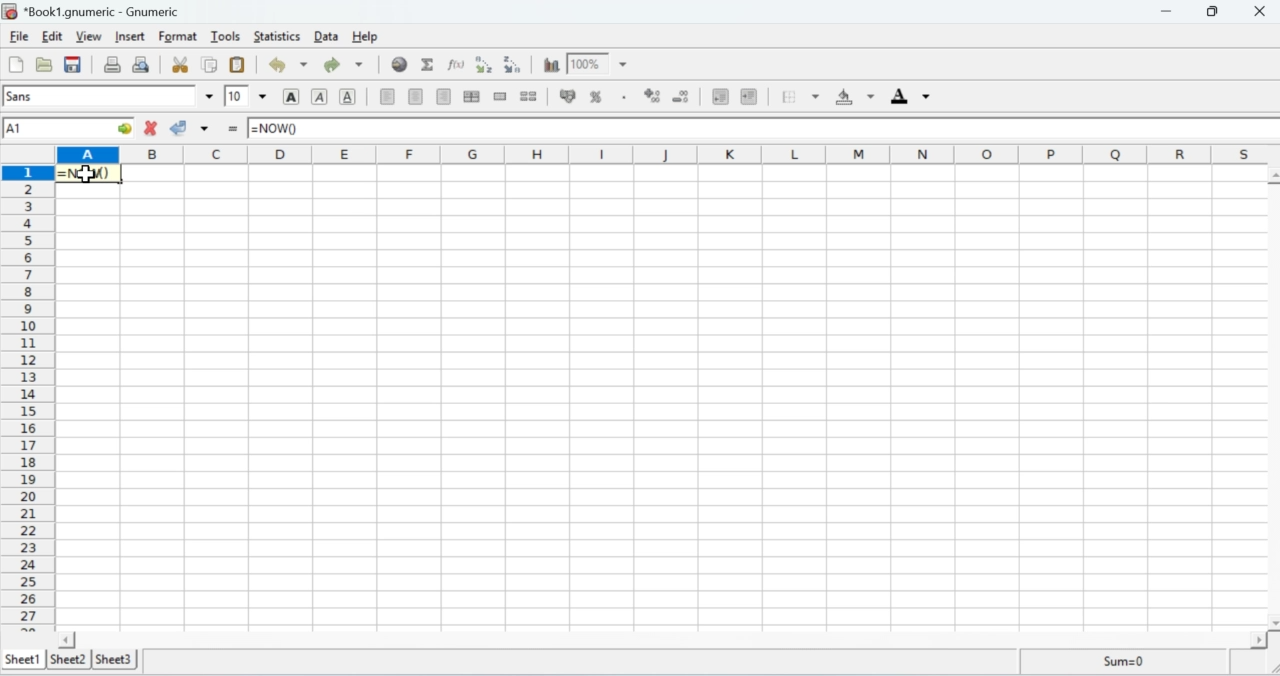 Image resolution: width=1280 pixels, height=676 pixels. Describe the element at coordinates (226, 37) in the screenshot. I see `Tools` at that location.